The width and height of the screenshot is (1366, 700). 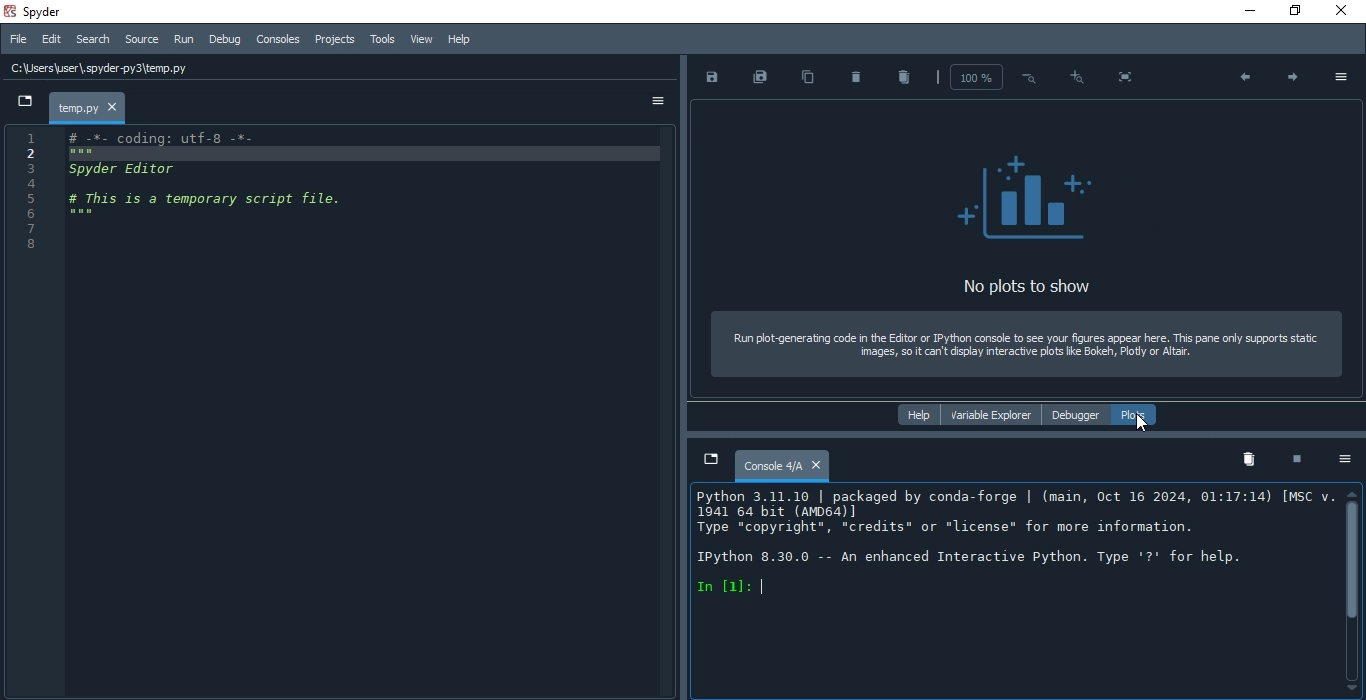 I want to click on delete, so click(x=855, y=76).